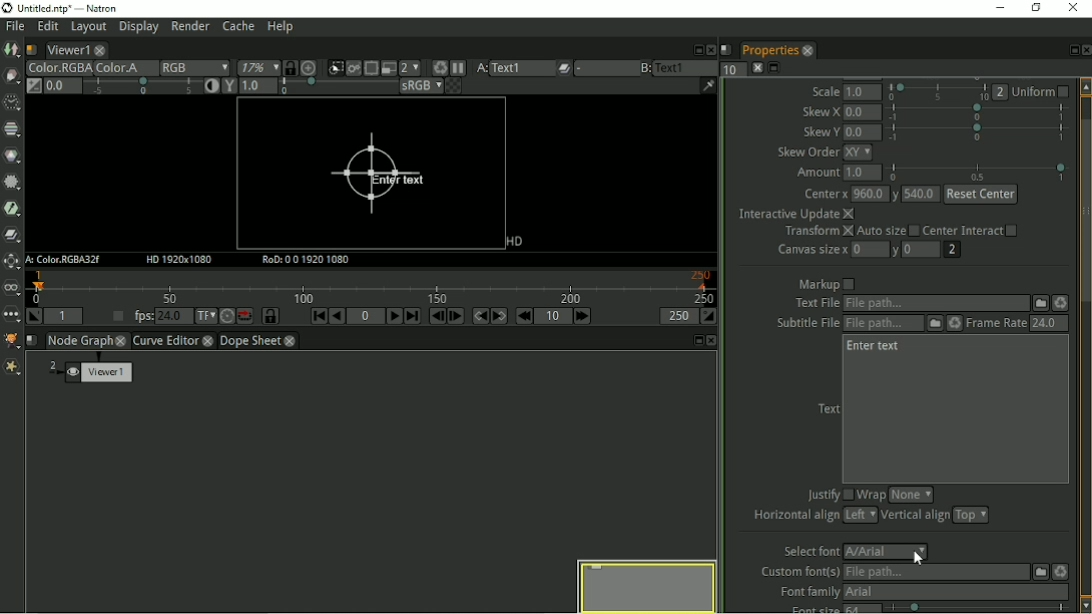 This screenshot has height=614, width=1092. What do you see at coordinates (709, 48) in the screenshot?
I see `Close` at bounding box center [709, 48].